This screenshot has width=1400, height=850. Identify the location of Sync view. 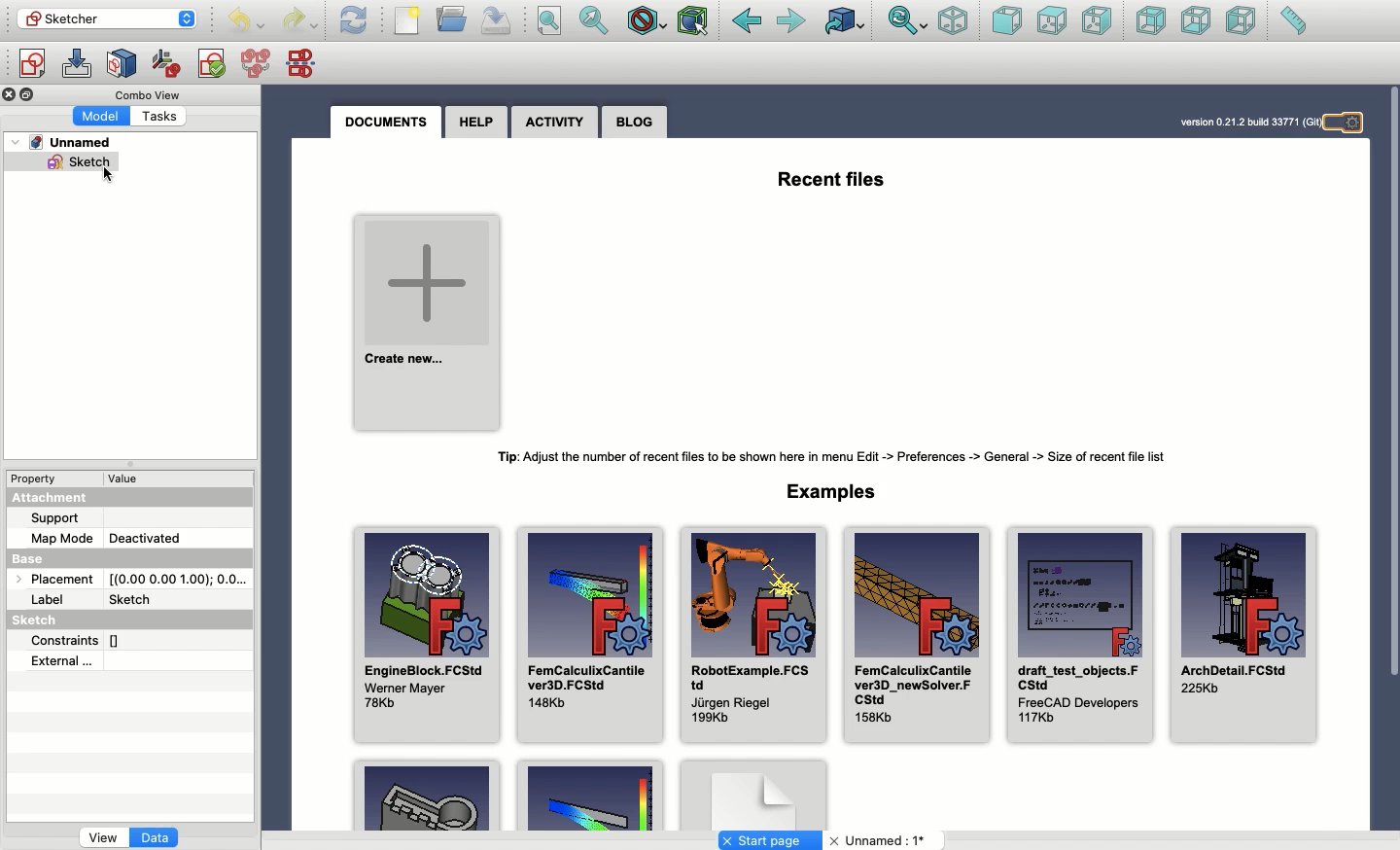
(908, 22).